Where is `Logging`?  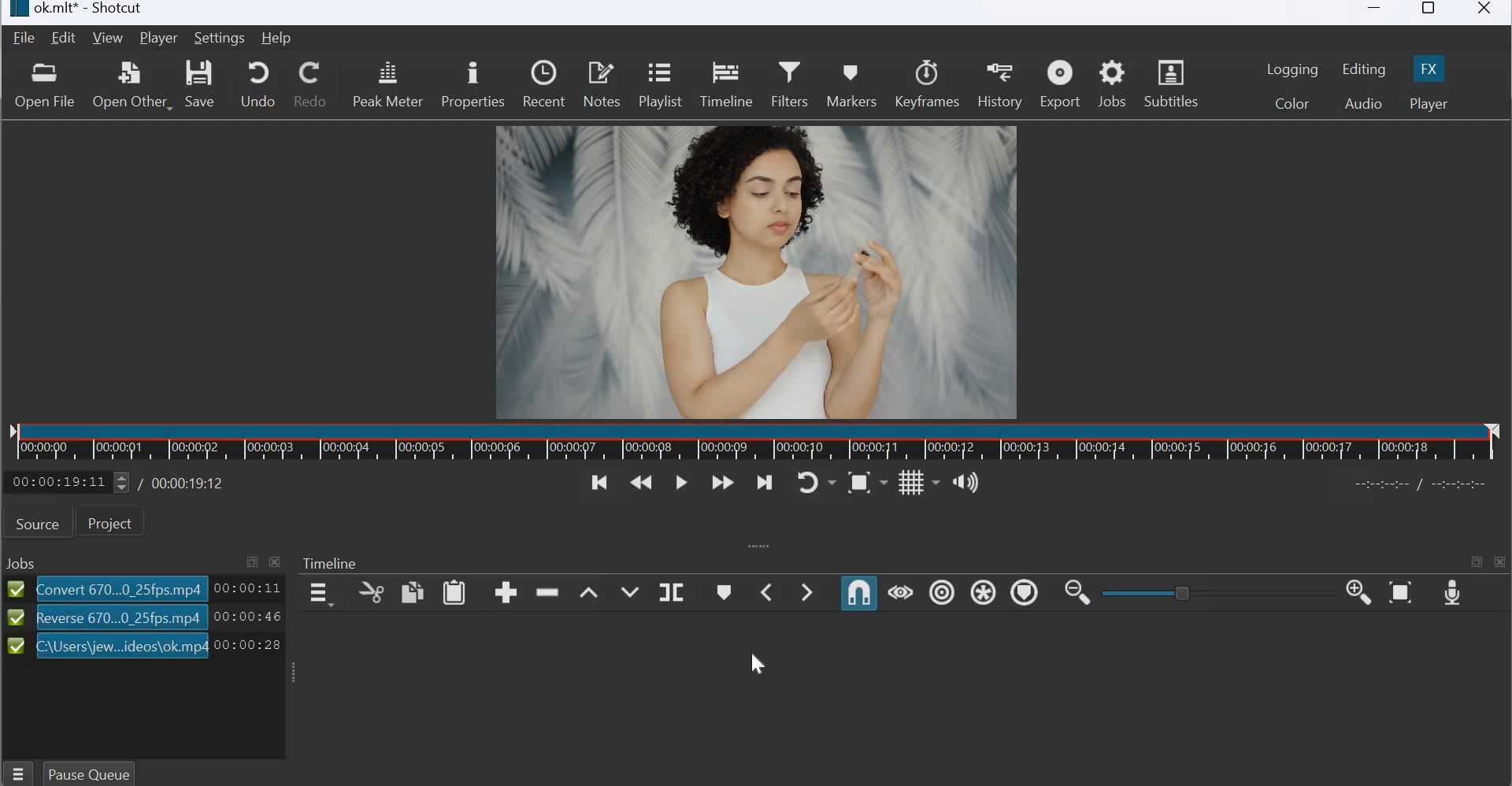 Logging is located at coordinates (1293, 69).